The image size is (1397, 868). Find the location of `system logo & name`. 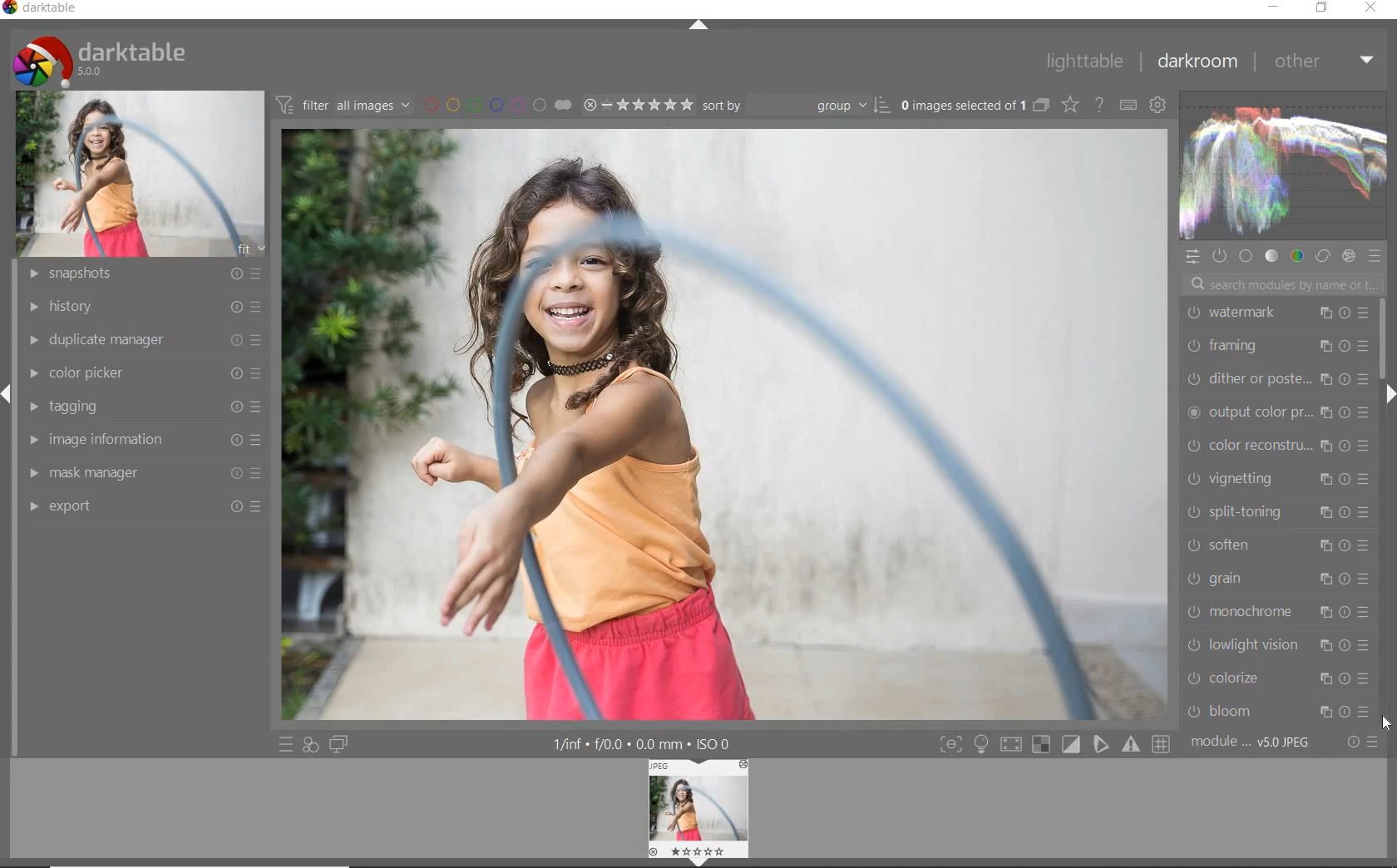

system logo & name is located at coordinates (103, 57).